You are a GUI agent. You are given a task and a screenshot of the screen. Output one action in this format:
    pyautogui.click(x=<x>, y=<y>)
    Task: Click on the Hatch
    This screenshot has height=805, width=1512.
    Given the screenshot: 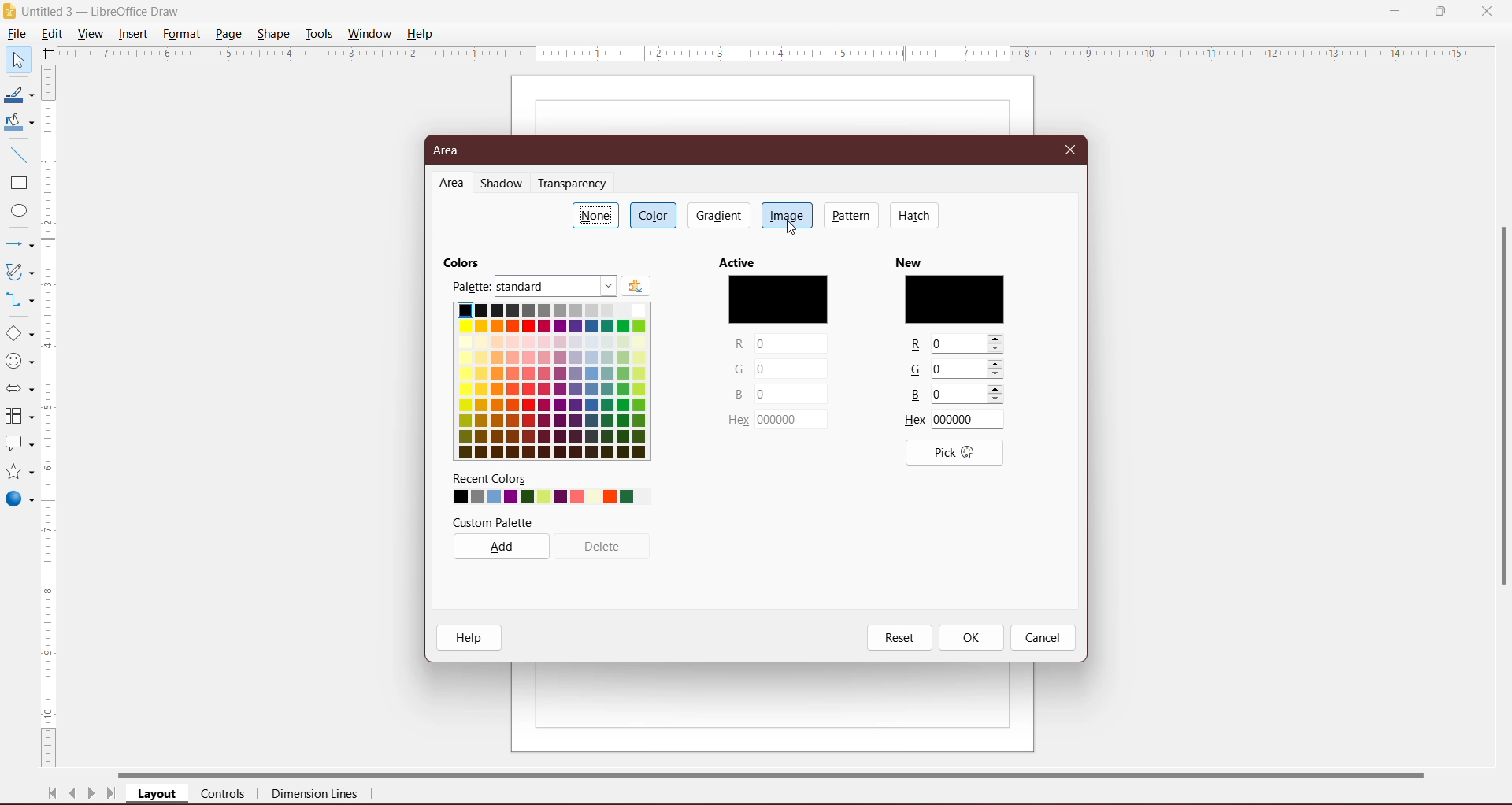 What is the action you would take?
    pyautogui.click(x=915, y=215)
    